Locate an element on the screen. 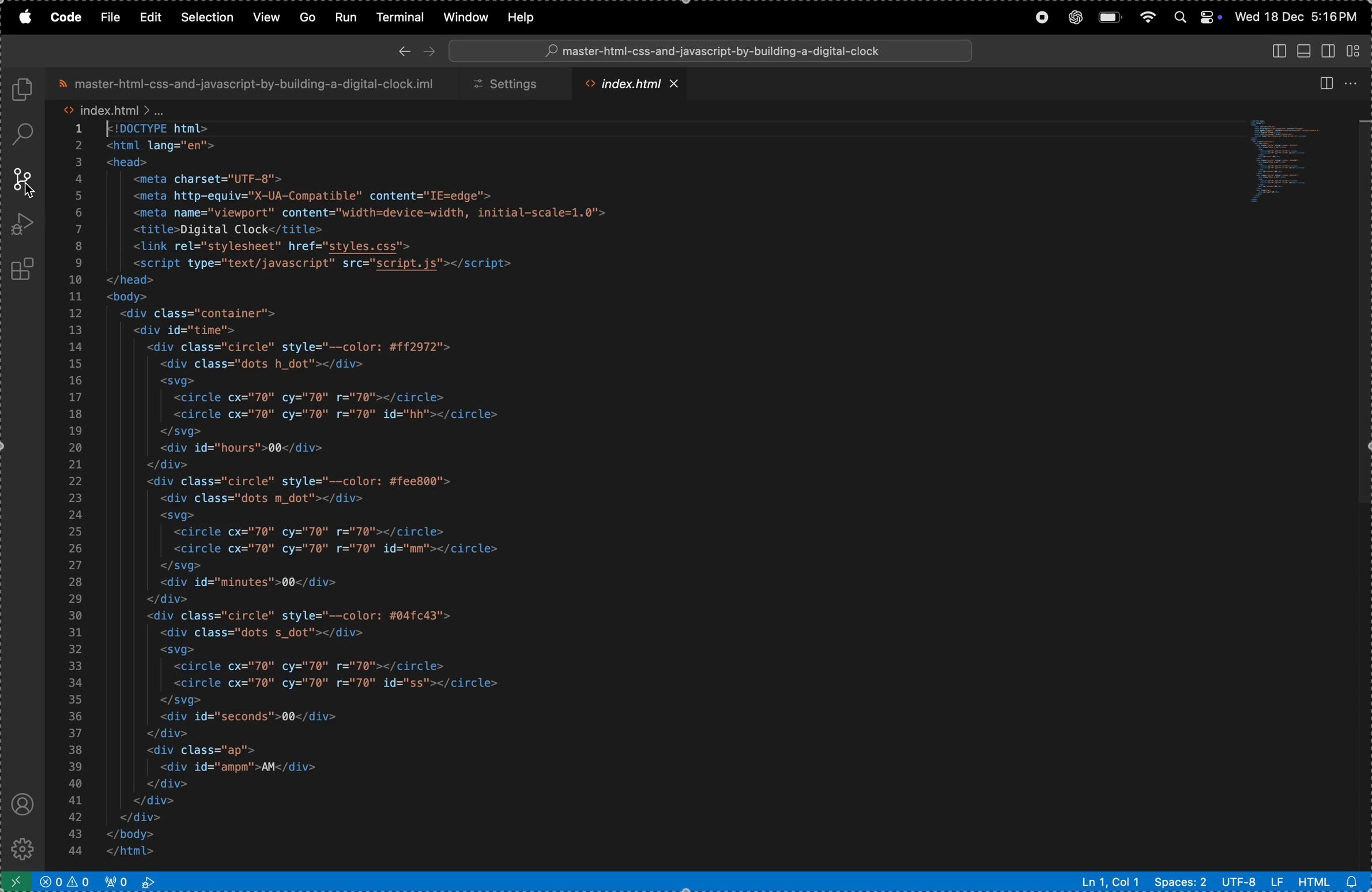 This screenshot has height=892, width=1372. split editor is located at coordinates (1329, 84).